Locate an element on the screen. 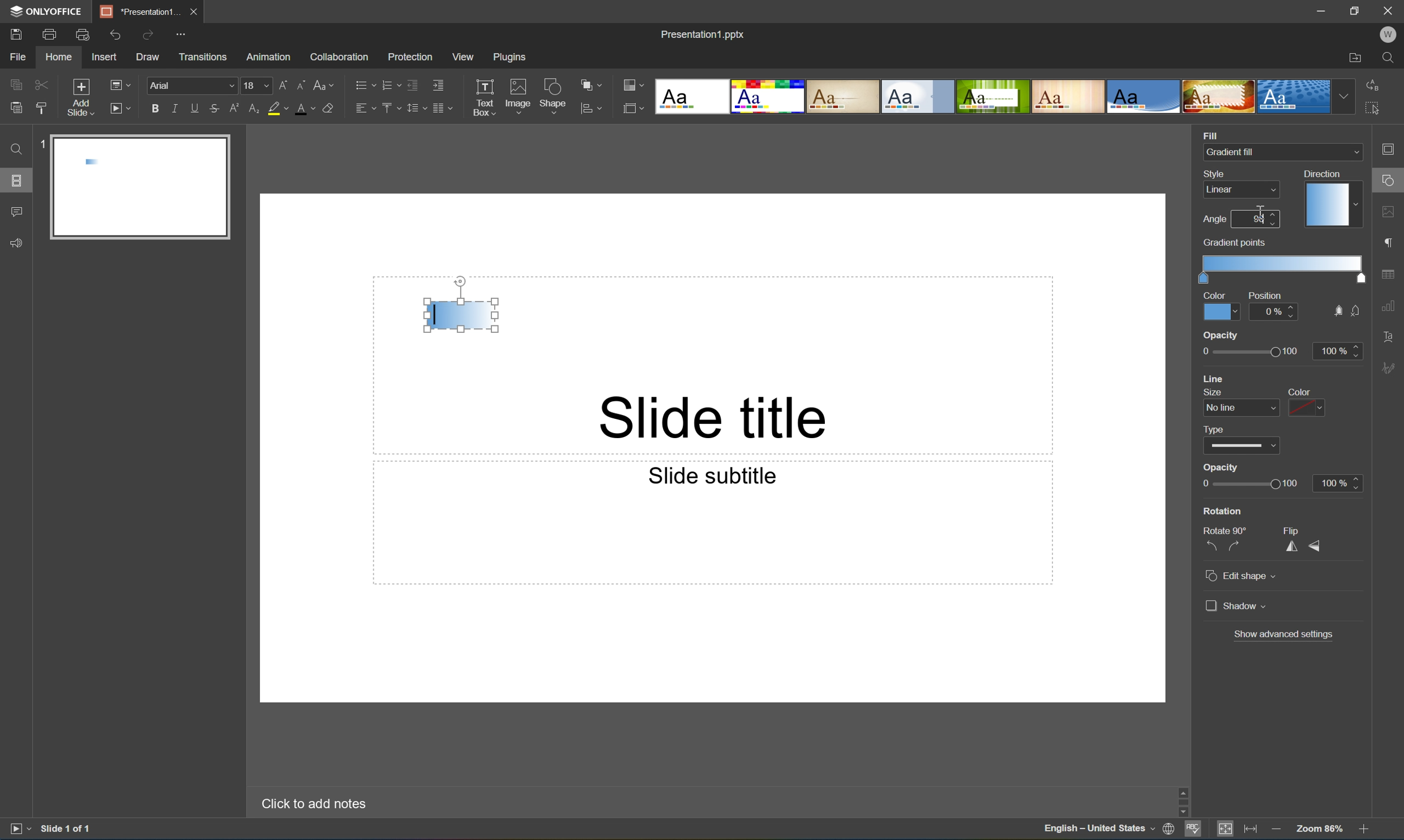 This screenshot has width=1404, height=840. Change case is located at coordinates (324, 82).